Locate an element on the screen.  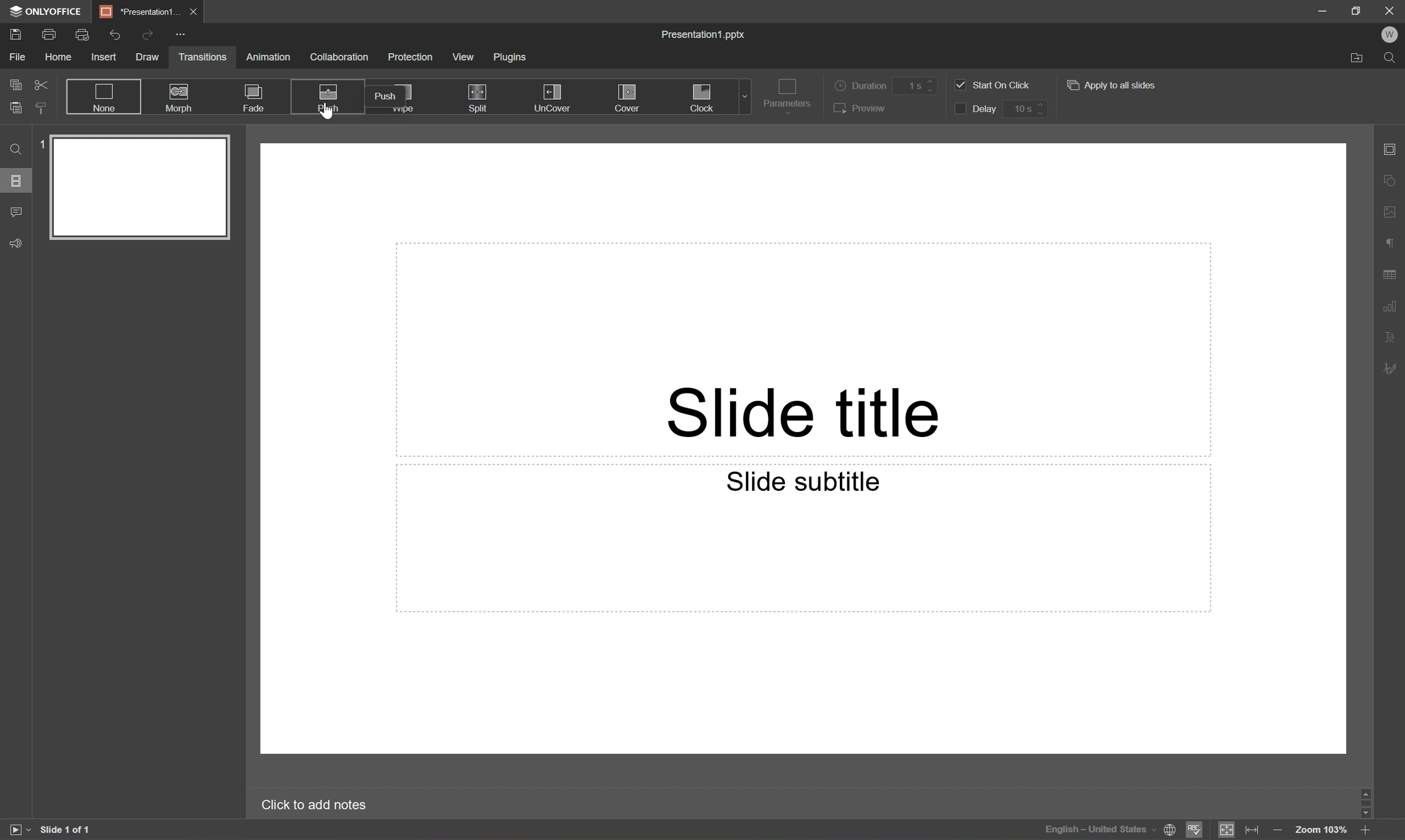
Image settings is located at coordinates (1391, 214).